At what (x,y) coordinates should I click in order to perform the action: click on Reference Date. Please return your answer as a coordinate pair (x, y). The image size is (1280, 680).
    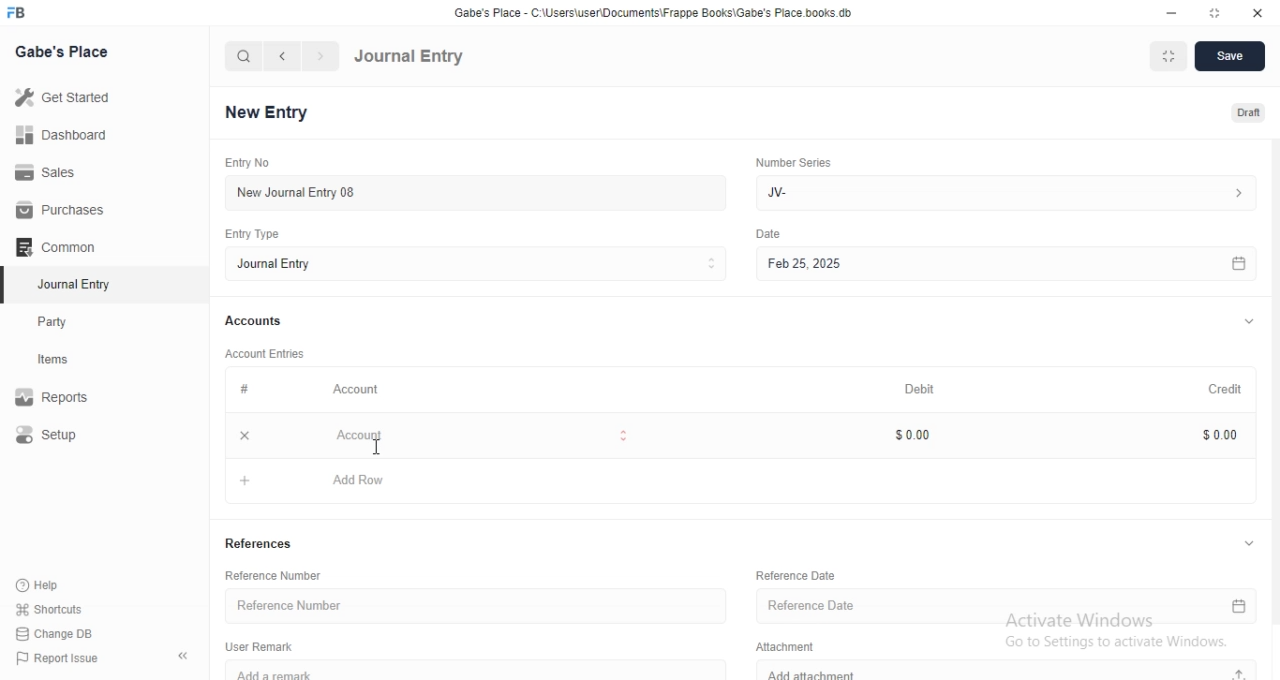
    Looking at the image, I should click on (1007, 608).